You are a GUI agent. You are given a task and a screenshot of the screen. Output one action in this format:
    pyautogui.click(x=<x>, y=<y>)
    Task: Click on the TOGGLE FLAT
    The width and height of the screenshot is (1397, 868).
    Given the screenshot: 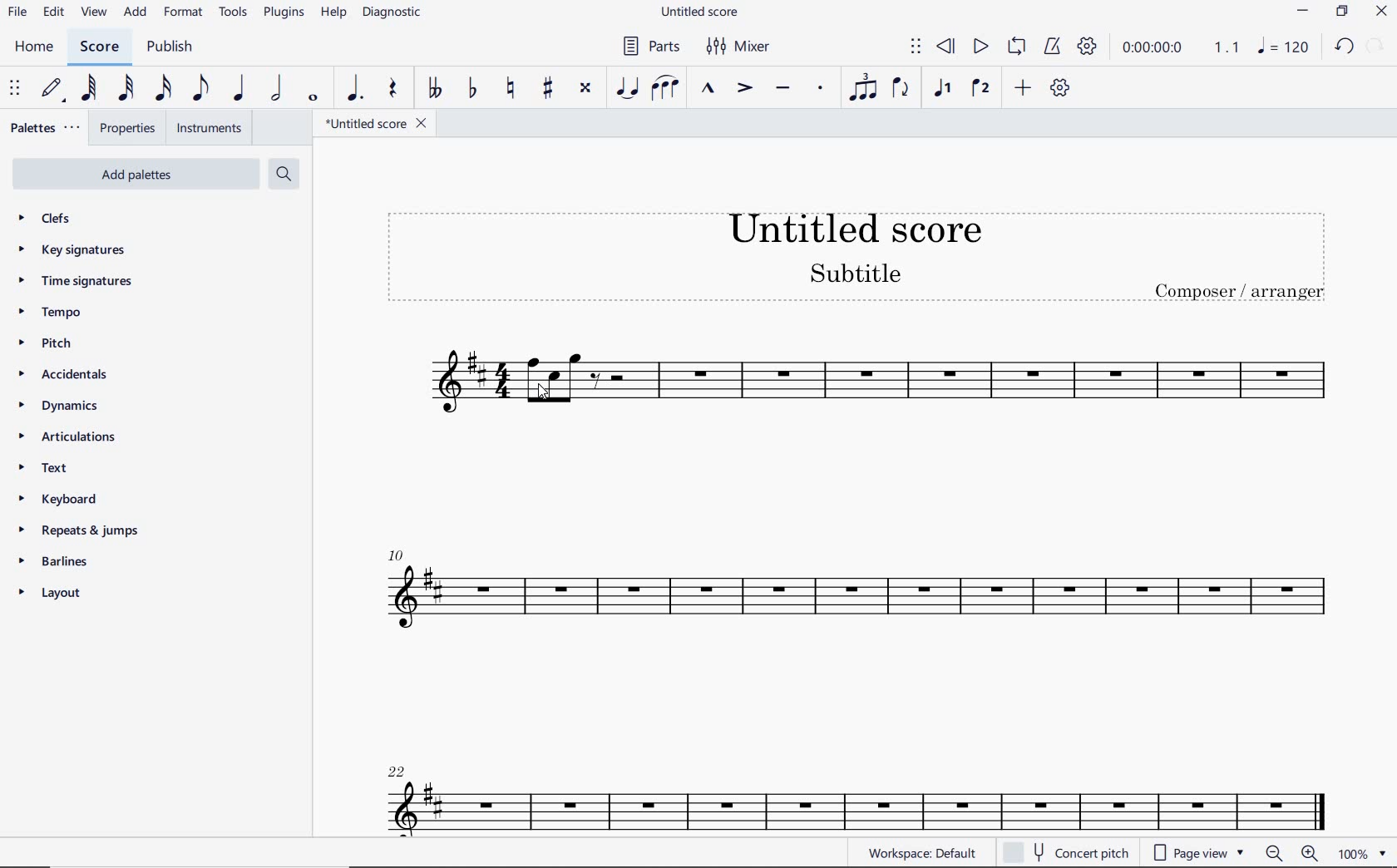 What is the action you would take?
    pyautogui.click(x=473, y=89)
    